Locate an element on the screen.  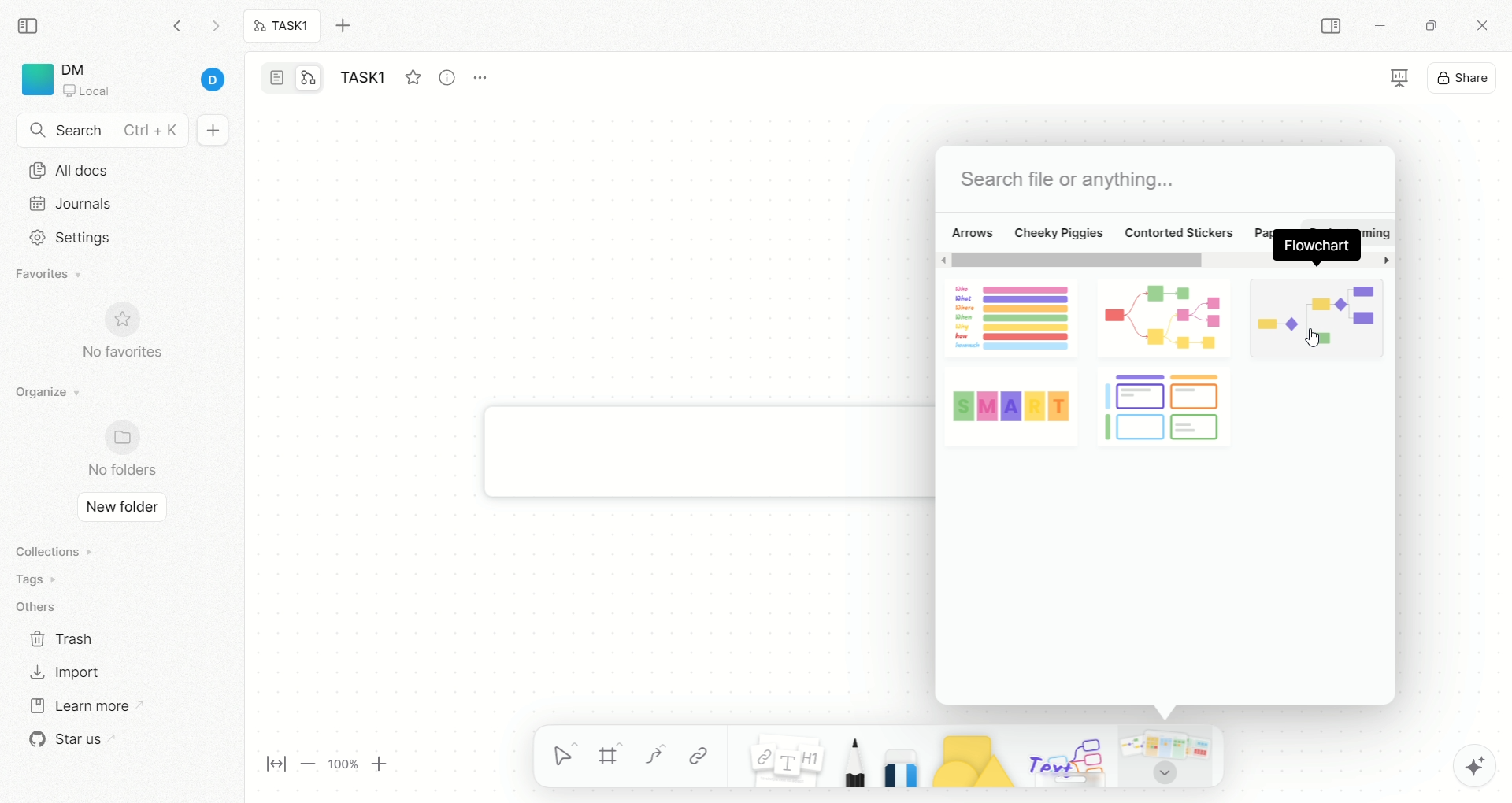
new tab is located at coordinates (352, 26).